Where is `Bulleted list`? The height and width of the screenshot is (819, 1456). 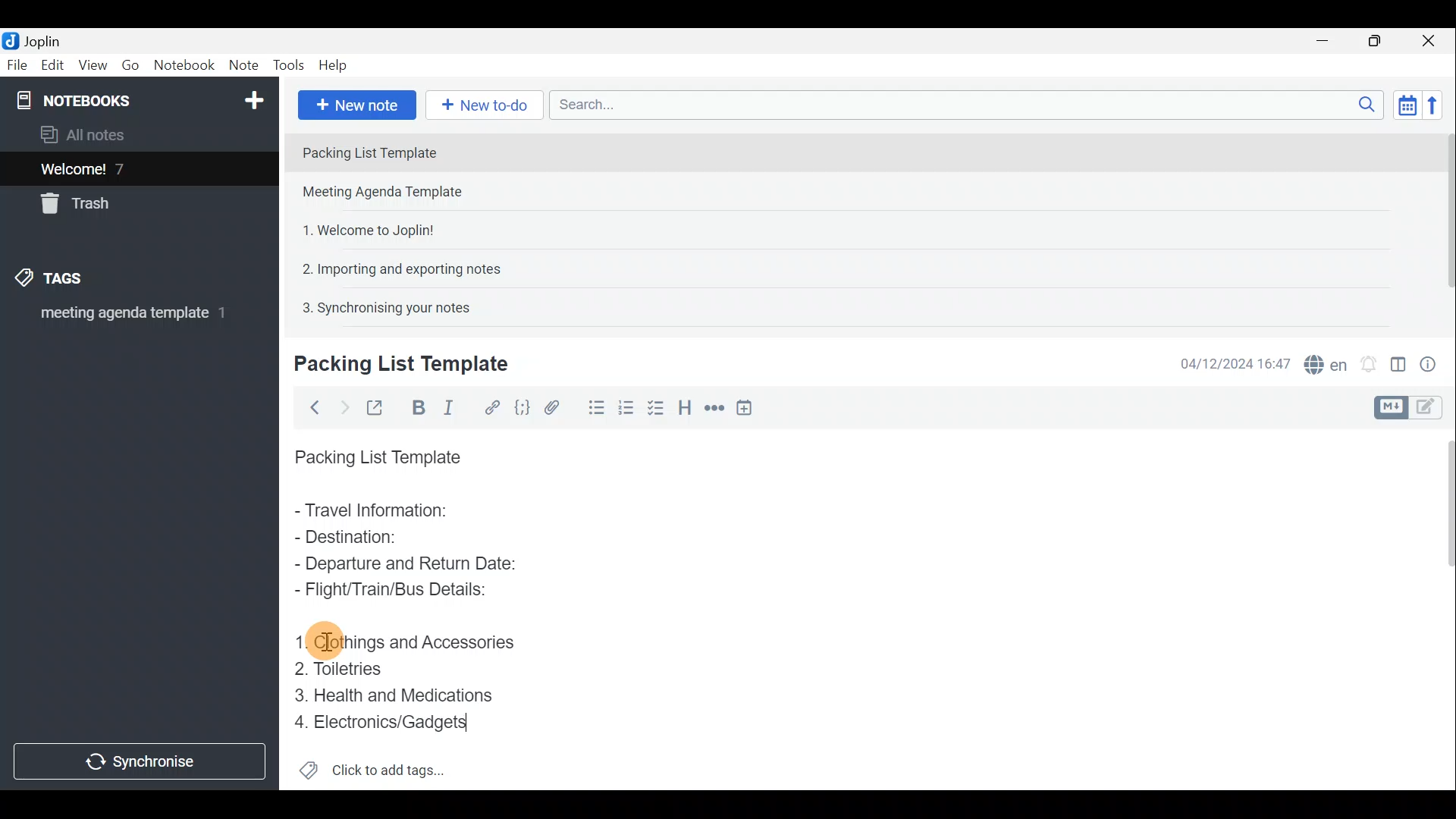
Bulleted list is located at coordinates (591, 410).